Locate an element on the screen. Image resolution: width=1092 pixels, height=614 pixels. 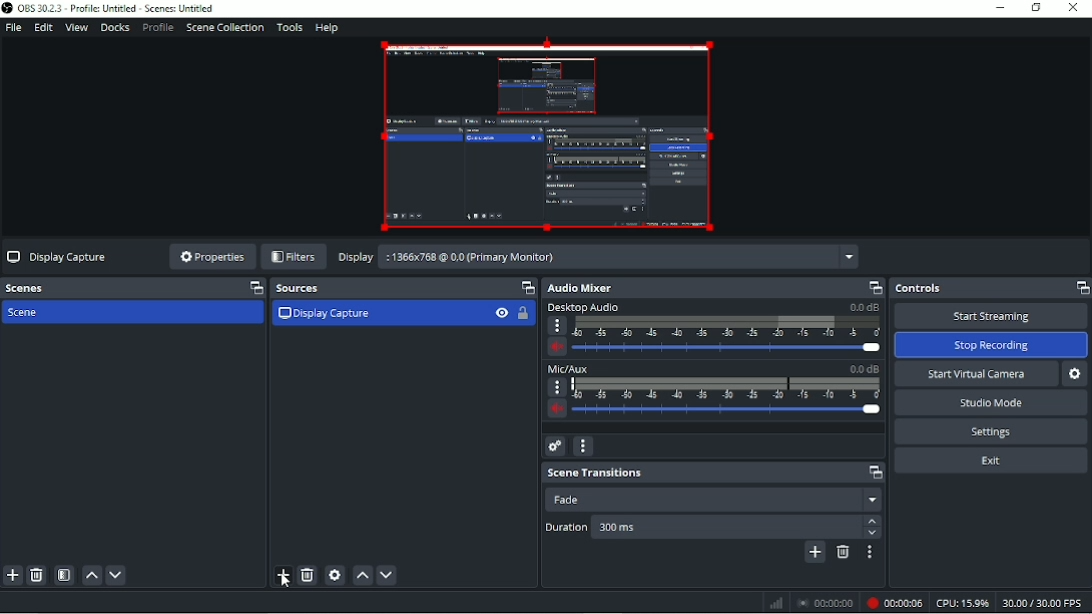
Help is located at coordinates (327, 28).